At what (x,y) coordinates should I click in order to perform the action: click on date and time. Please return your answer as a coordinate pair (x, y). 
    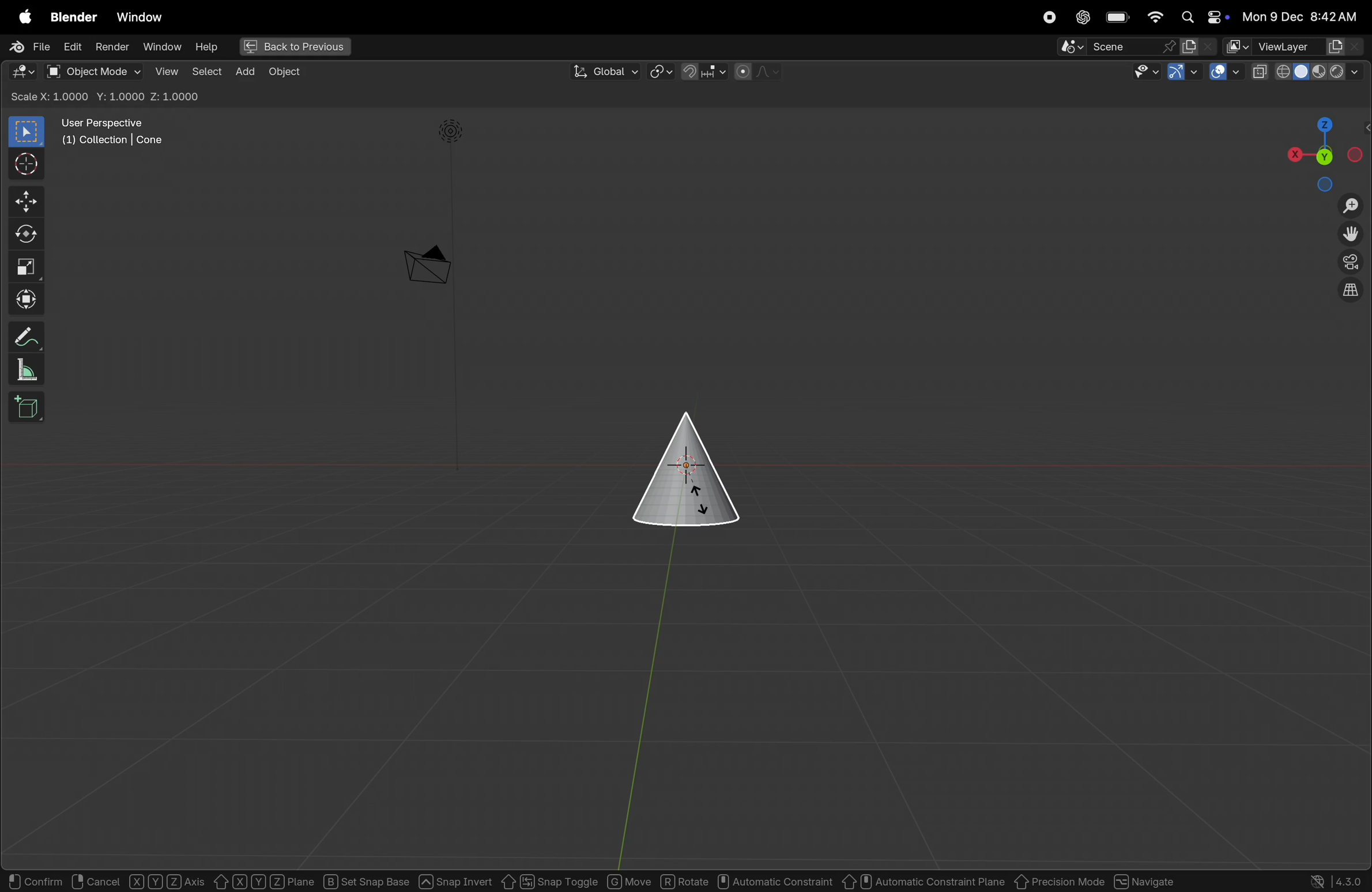
    Looking at the image, I should click on (1299, 16).